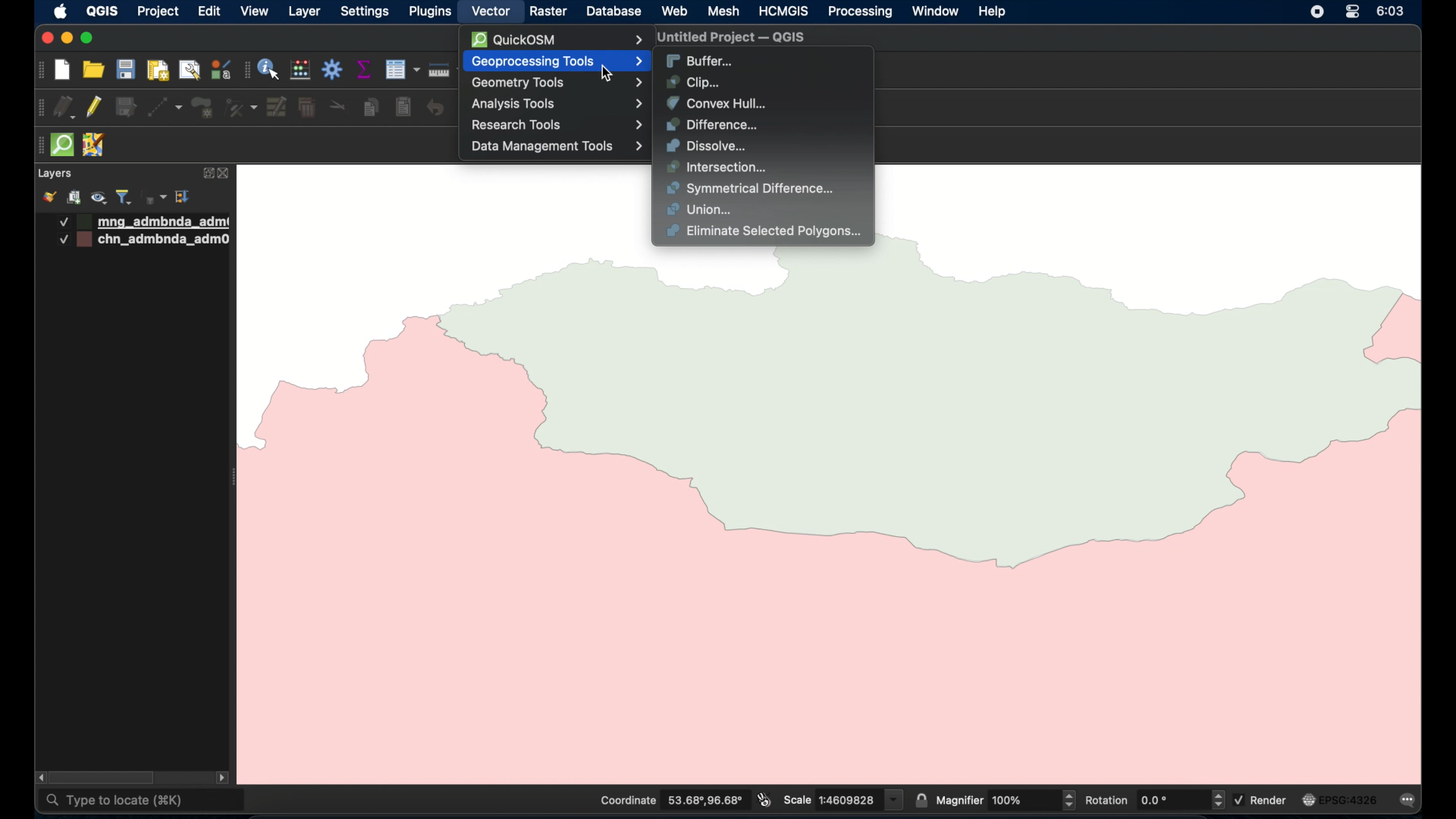 This screenshot has height=819, width=1456. What do you see at coordinates (93, 106) in the screenshot?
I see `toggle editing` at bounding box center [93, 106].